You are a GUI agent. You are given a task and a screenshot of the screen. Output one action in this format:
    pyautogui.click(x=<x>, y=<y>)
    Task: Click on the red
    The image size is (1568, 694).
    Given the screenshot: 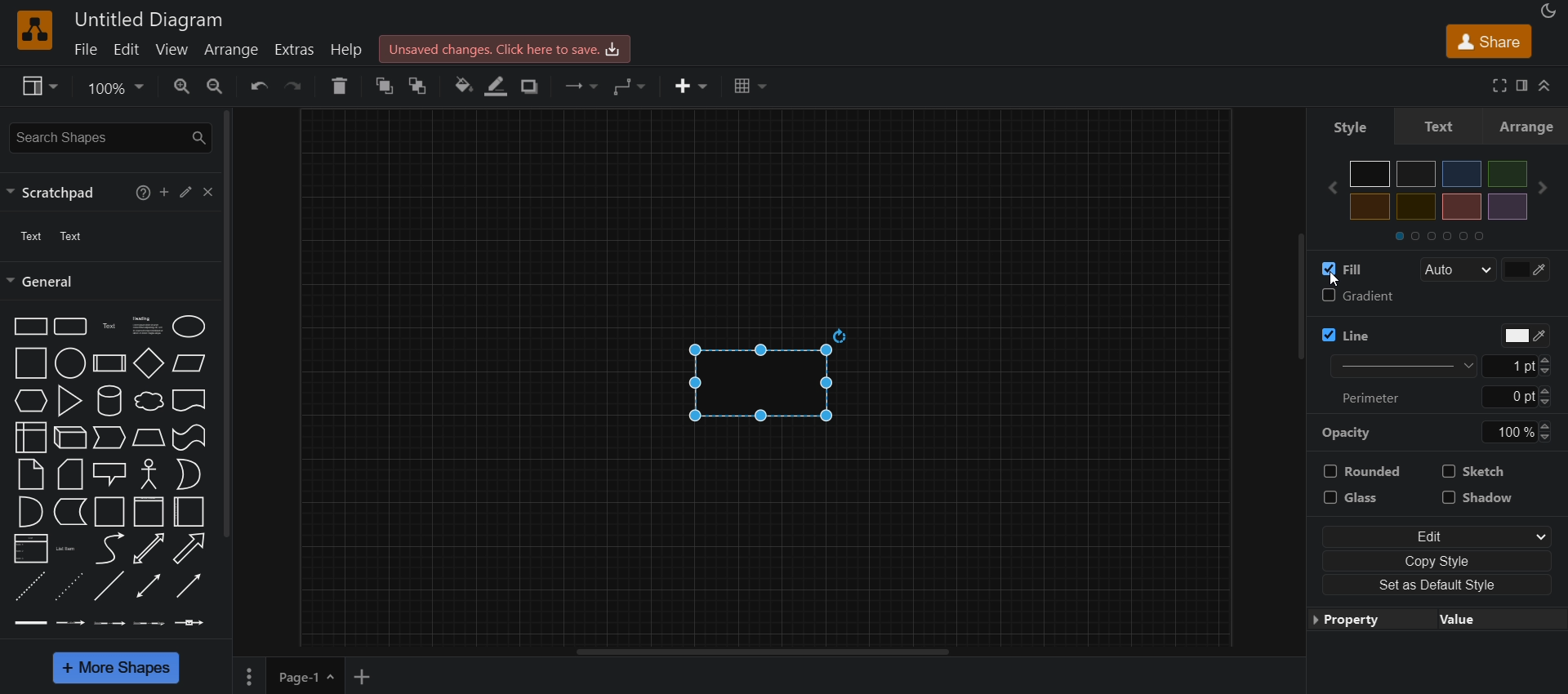 What is the action you would take?
    pyautogui.click(x=1417, y=207)
    